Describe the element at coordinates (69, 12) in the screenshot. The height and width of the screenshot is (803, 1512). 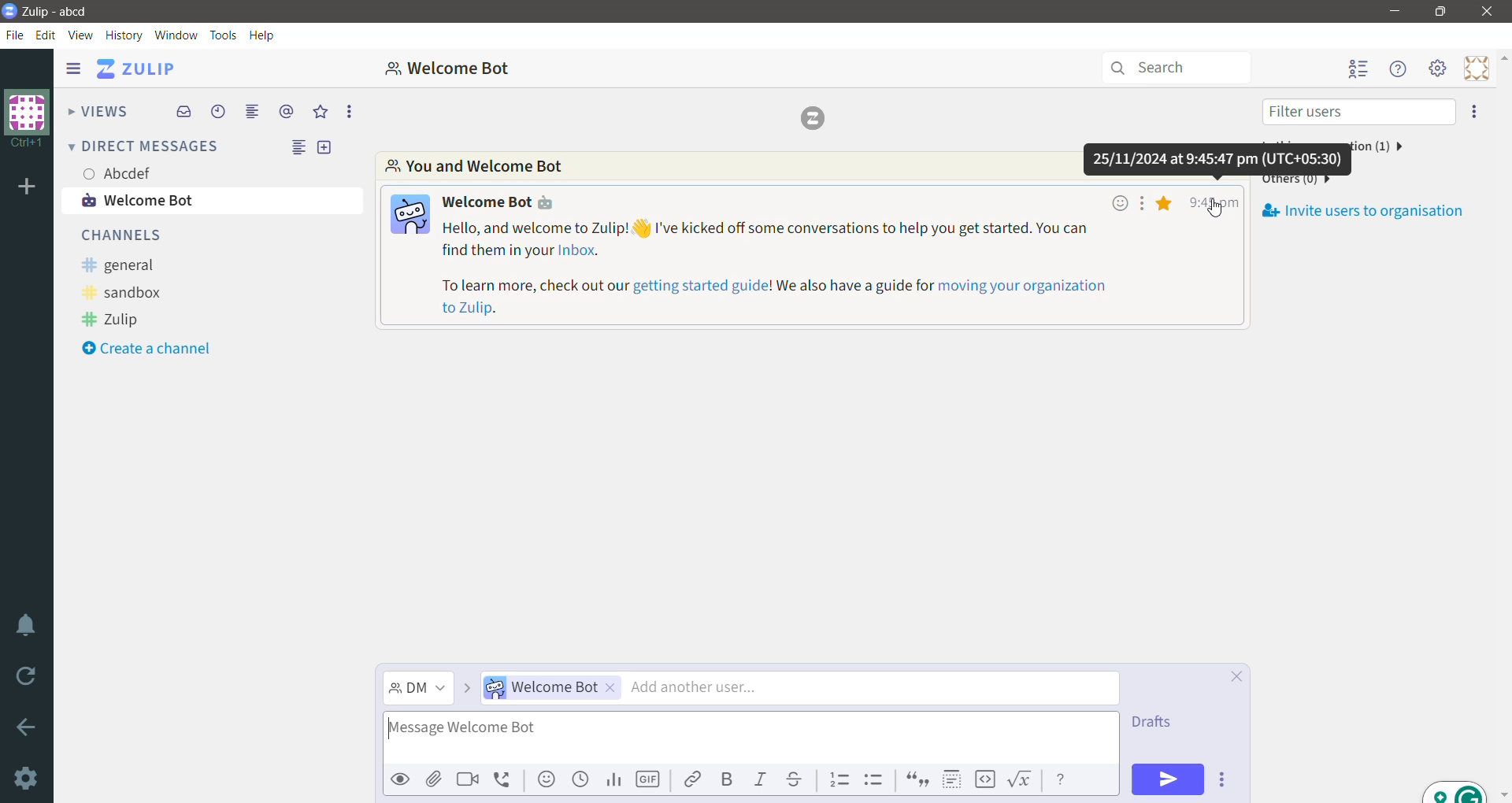
I see `Application Name - Organization Name` at that location.